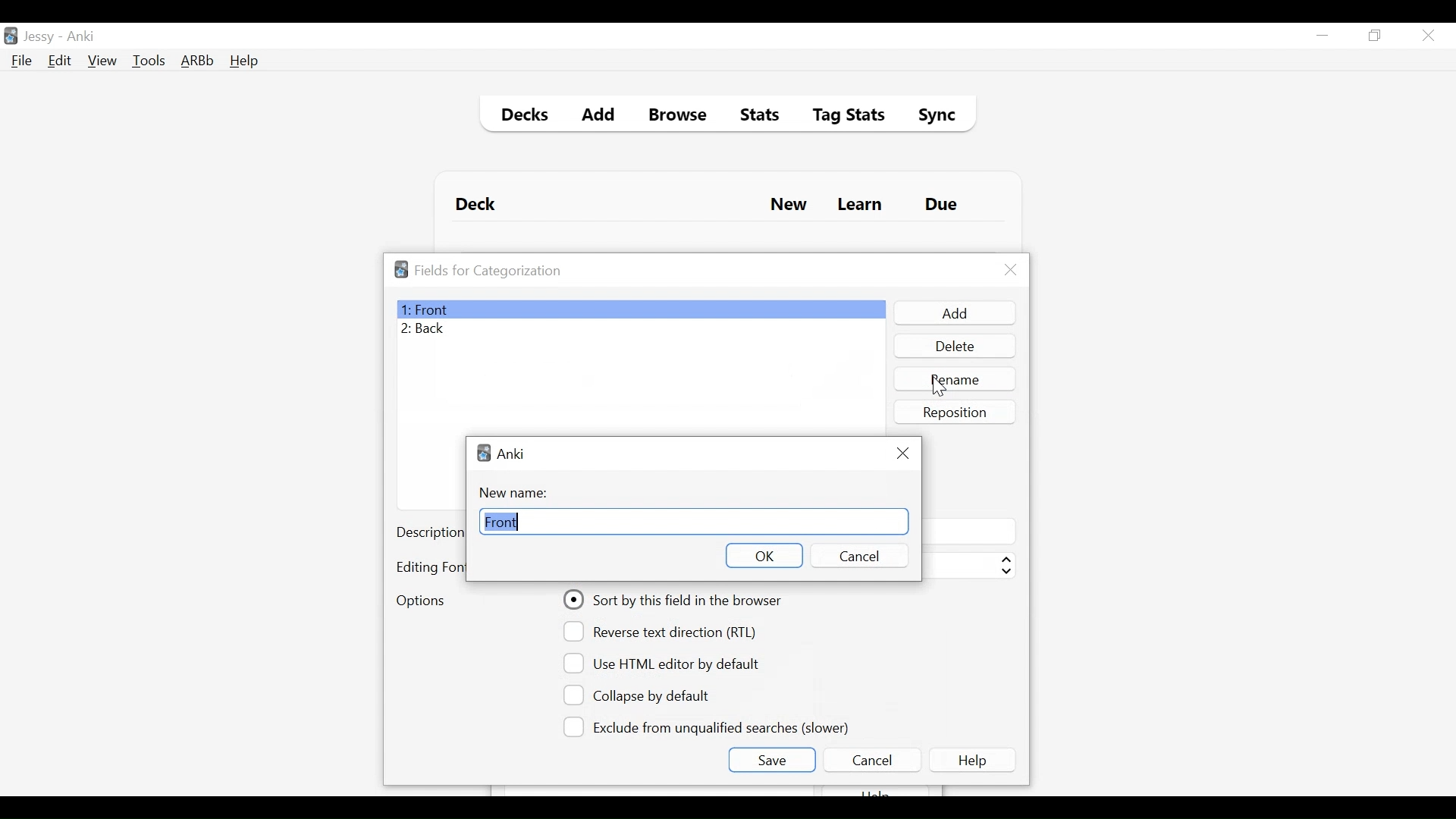 The height and width of the screenshot is (819, 1456). What do you see at coordinates (771, 760) in the screenshot?
I see `Save` at bounding box center [771, 760].